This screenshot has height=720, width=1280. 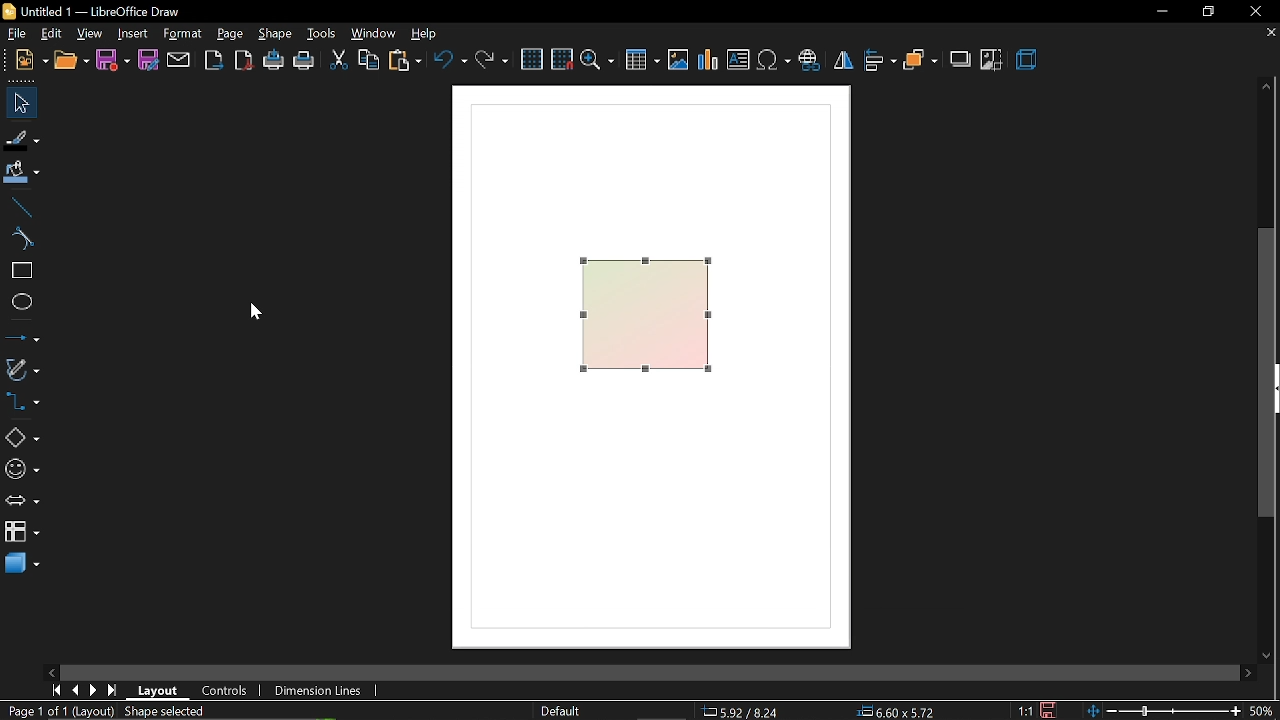 What do you see at coordinates (1249, 673) in the screenshot?
I see `Move right` at bounding box center [1249, 673].